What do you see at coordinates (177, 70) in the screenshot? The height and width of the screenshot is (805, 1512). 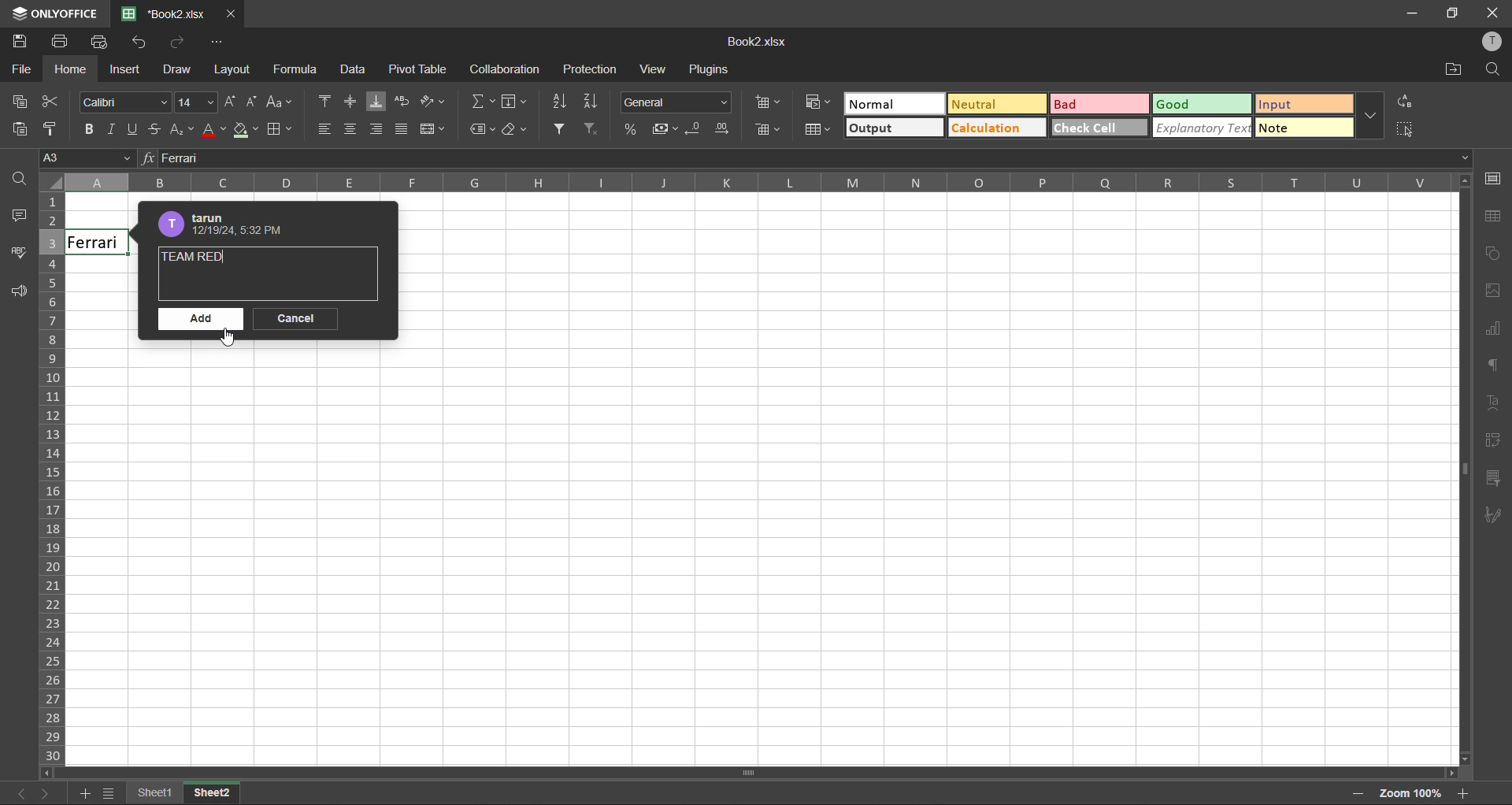 I see `draw` at bounding box center [177, 70].